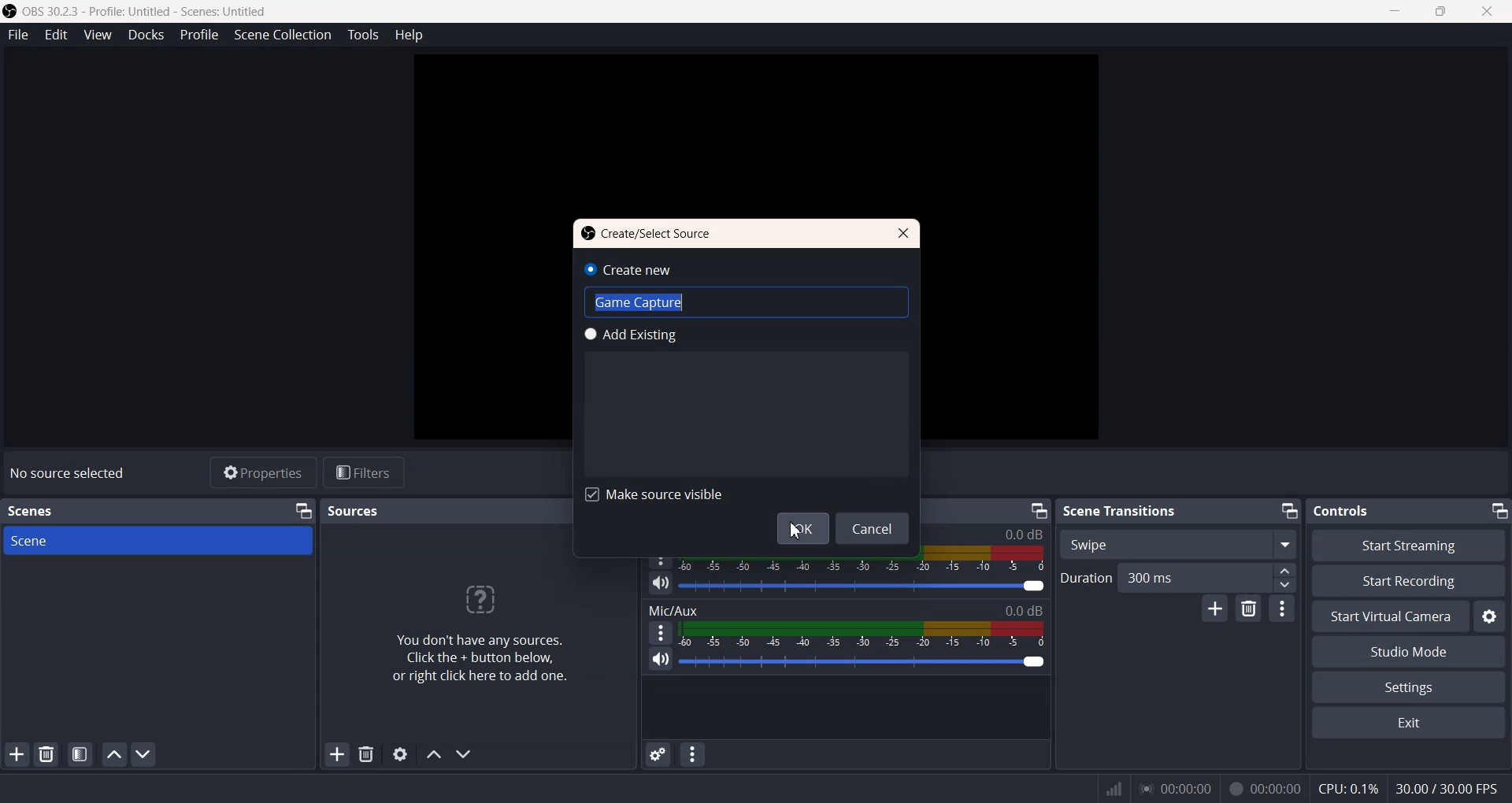 The image size is (1512, 803). I want to click on Move Scene Up, so click(114, 755).